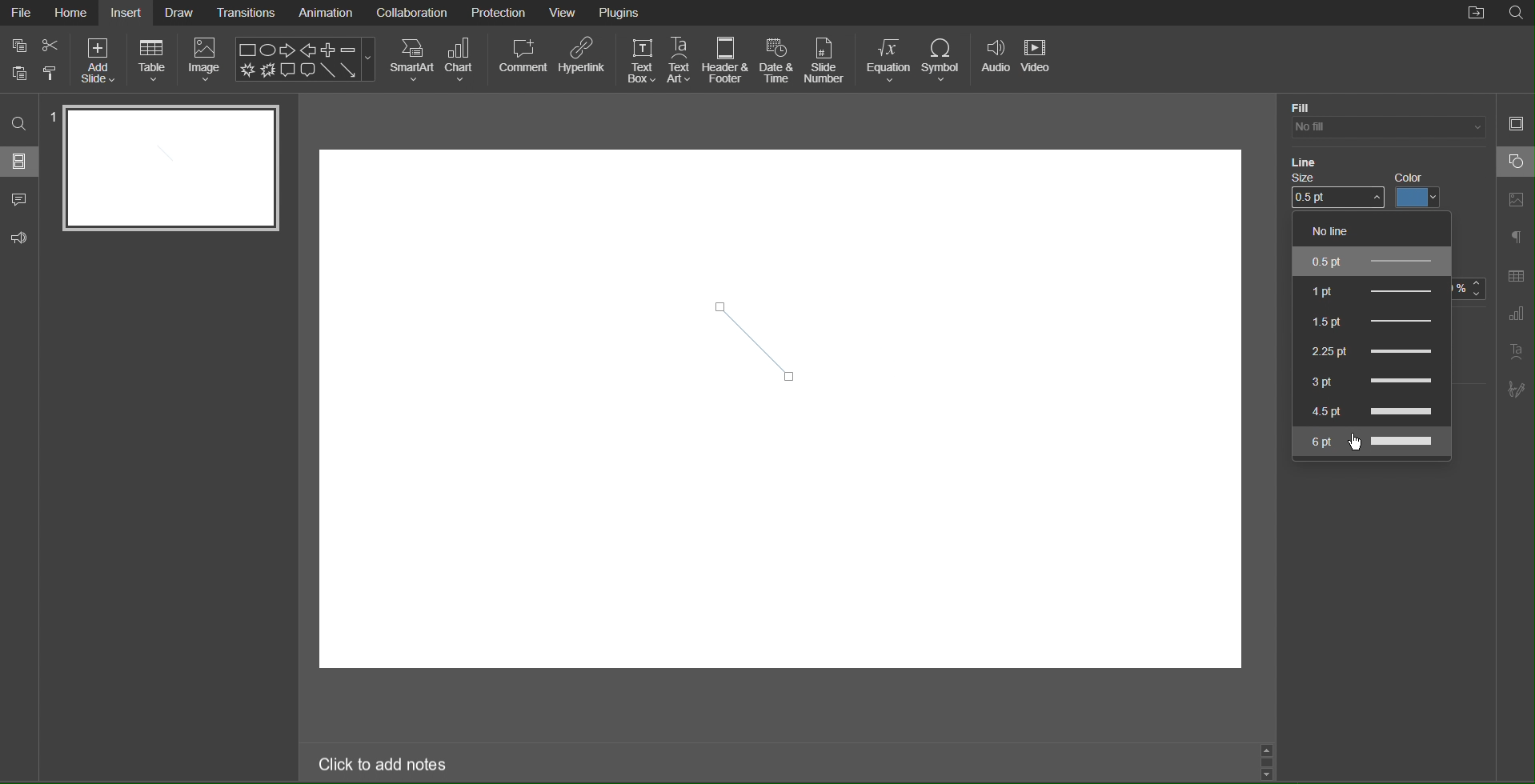 The image size is (1535, 784). Describe the element at coordinates (206, 62) in the screenshot. I see `Image` at that location.